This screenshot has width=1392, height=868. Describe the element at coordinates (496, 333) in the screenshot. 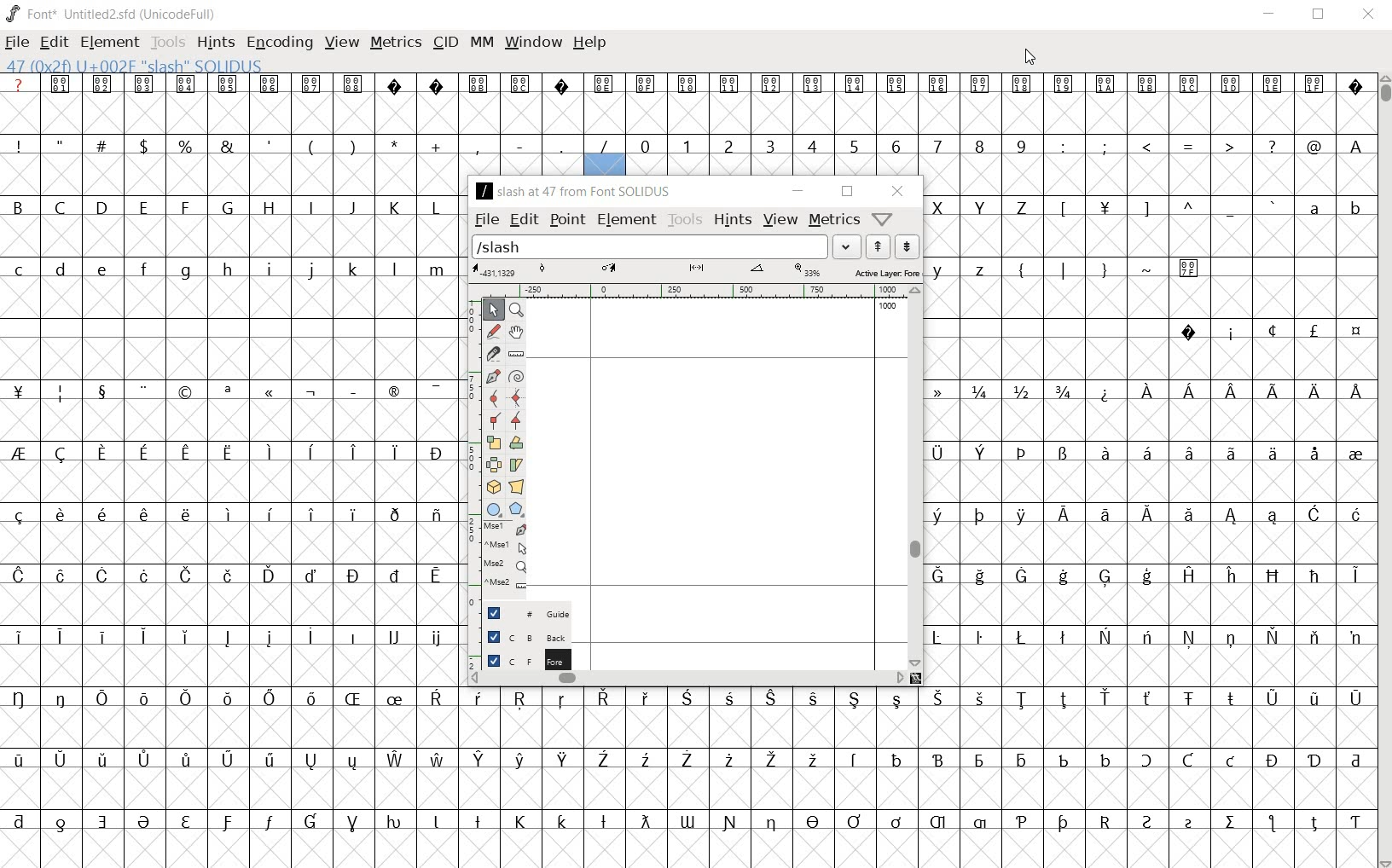

I see `draw a freehand curve` at that location.